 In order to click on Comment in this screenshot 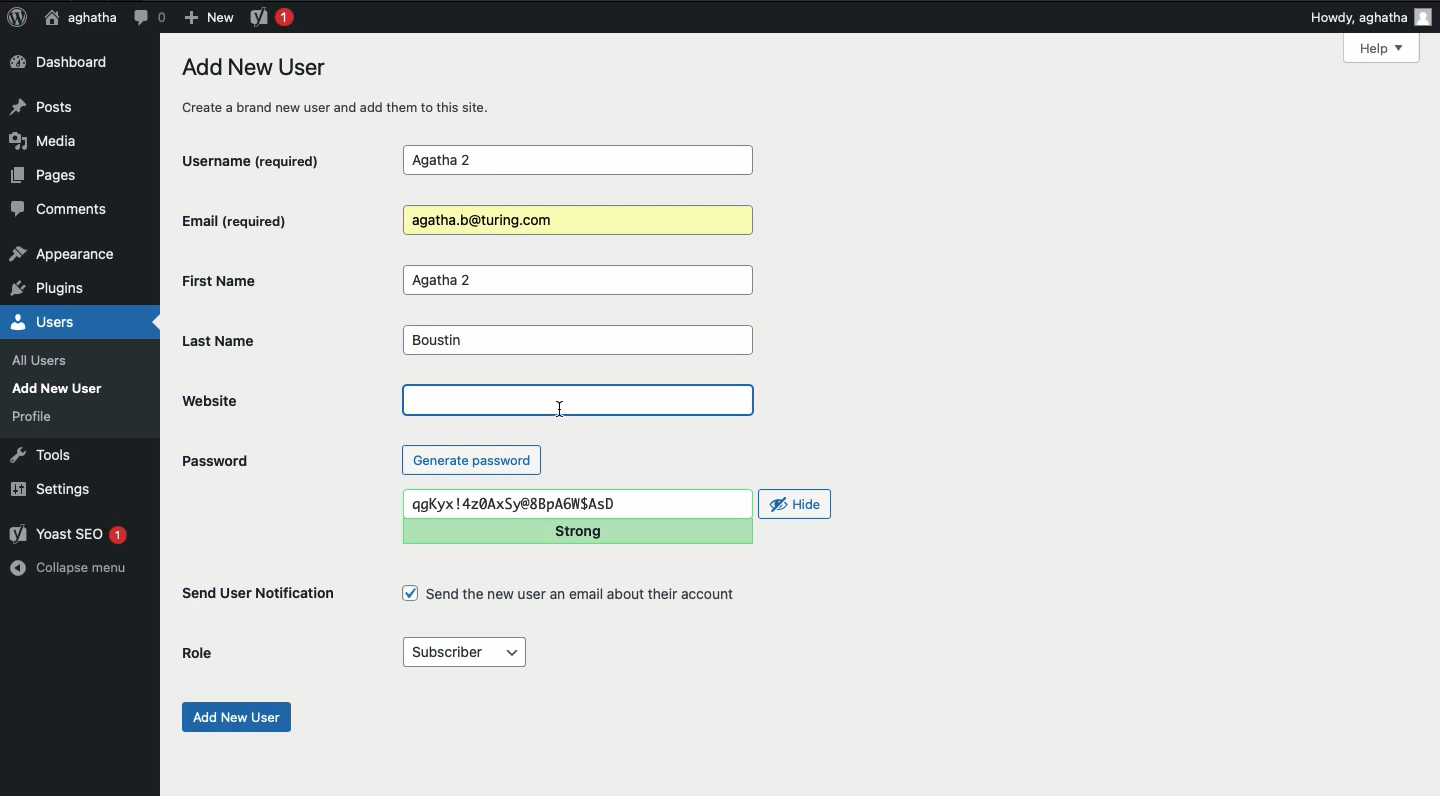, I will do `click(149, 17)`.